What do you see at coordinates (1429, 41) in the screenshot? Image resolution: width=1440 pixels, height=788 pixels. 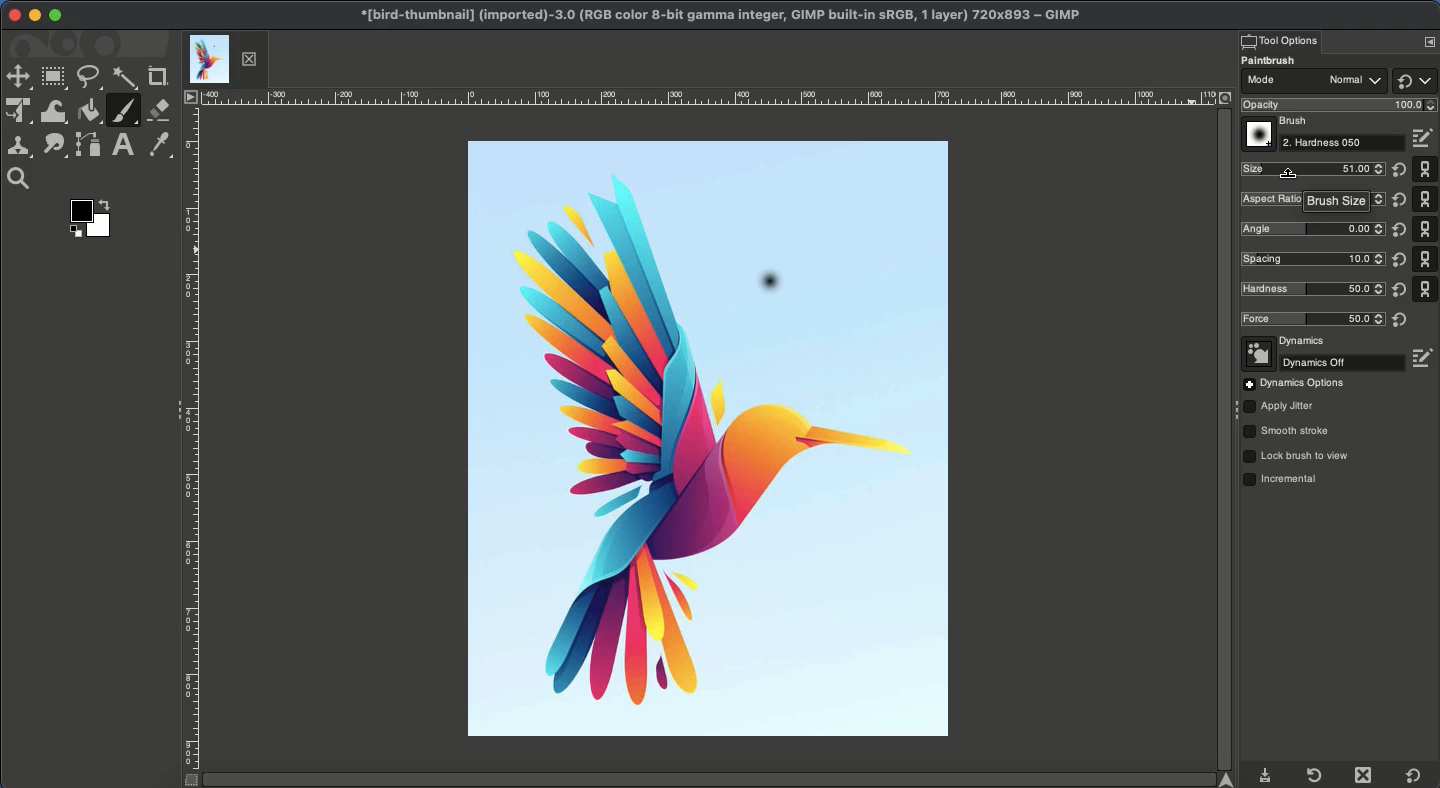 I see `Options` at bounding box center [1429, 41].